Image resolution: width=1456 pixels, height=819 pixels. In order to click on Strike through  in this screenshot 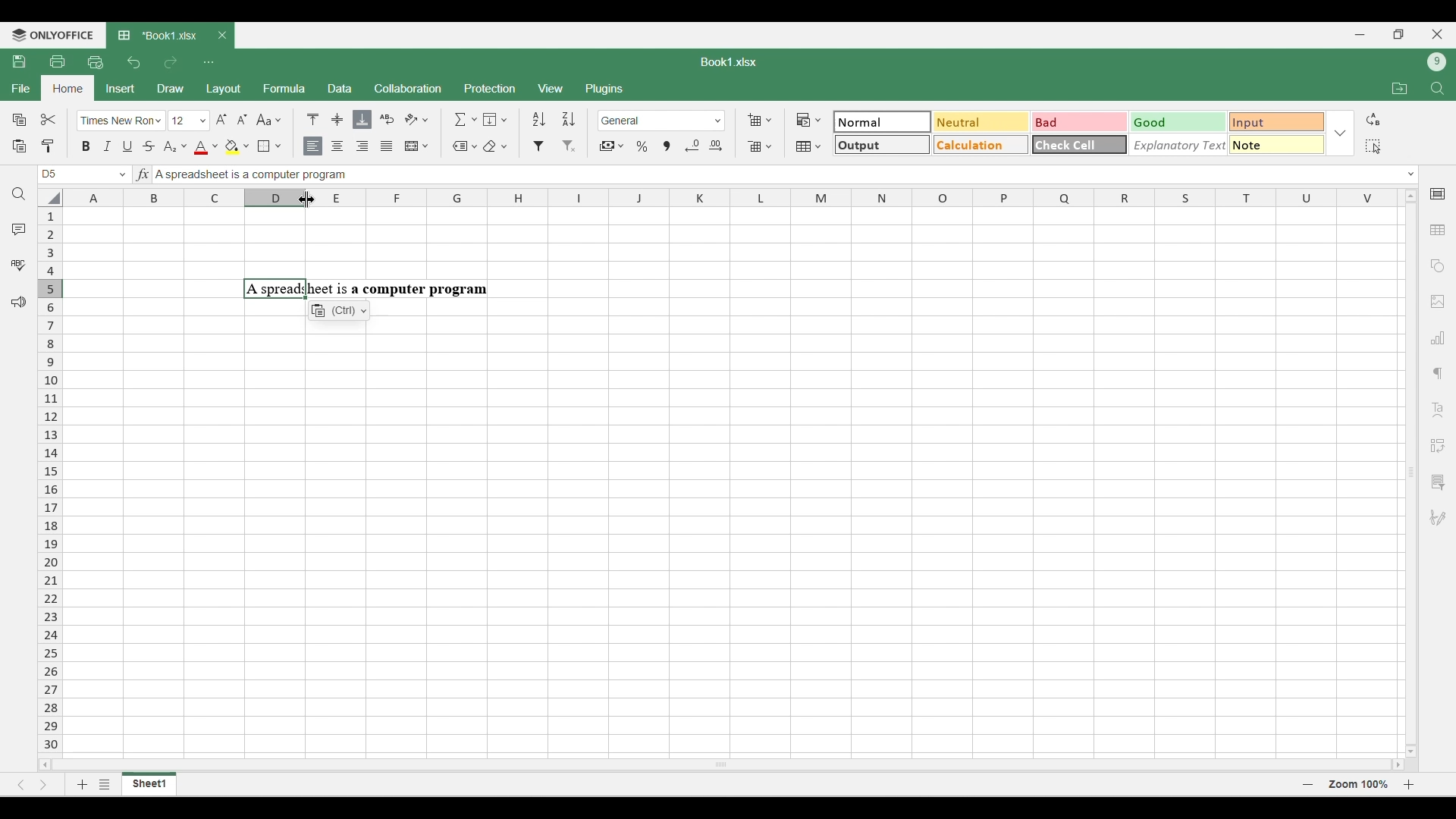, I will do `click(149, 146)`.